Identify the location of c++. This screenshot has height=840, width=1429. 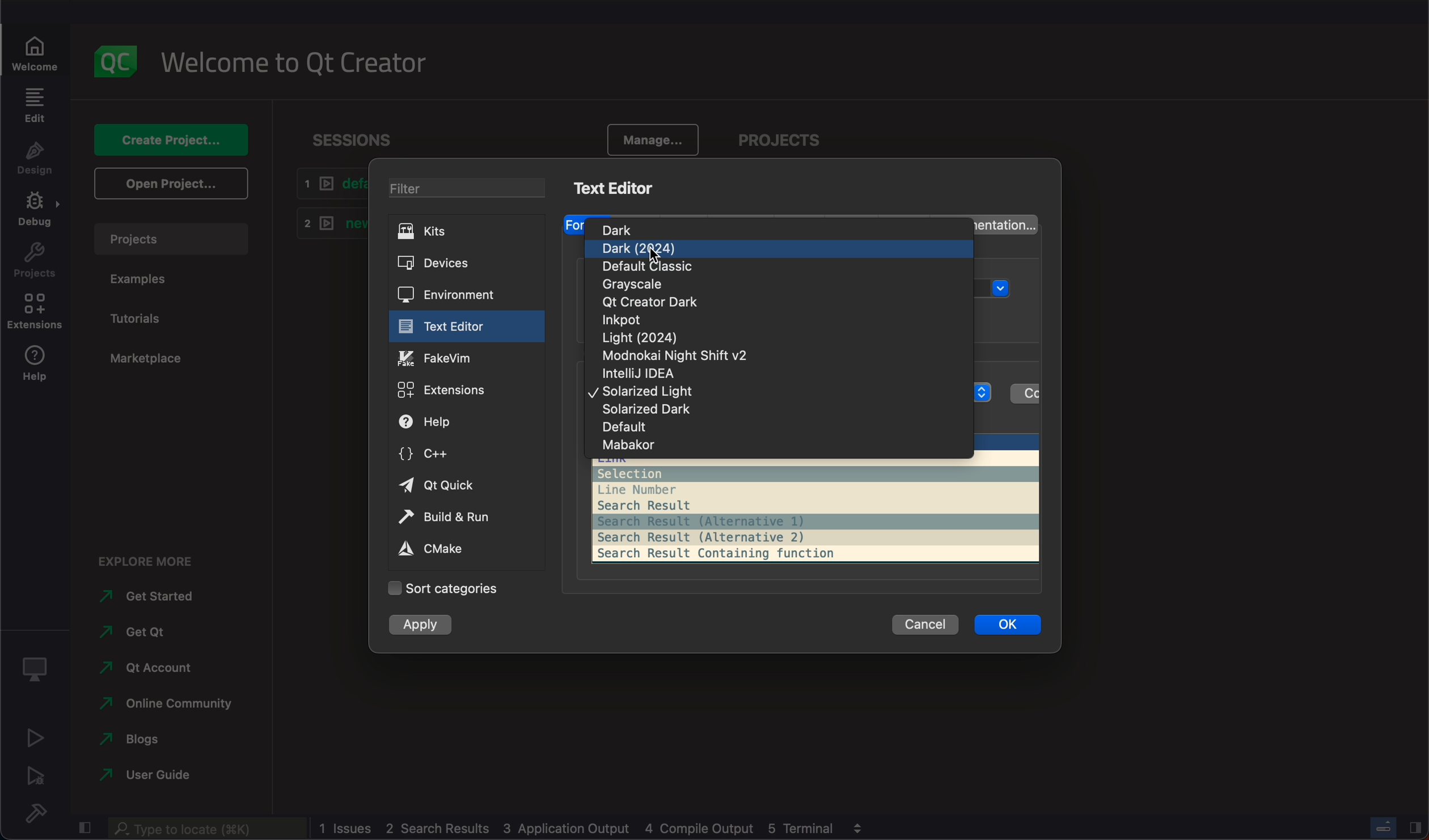
(466, 457).